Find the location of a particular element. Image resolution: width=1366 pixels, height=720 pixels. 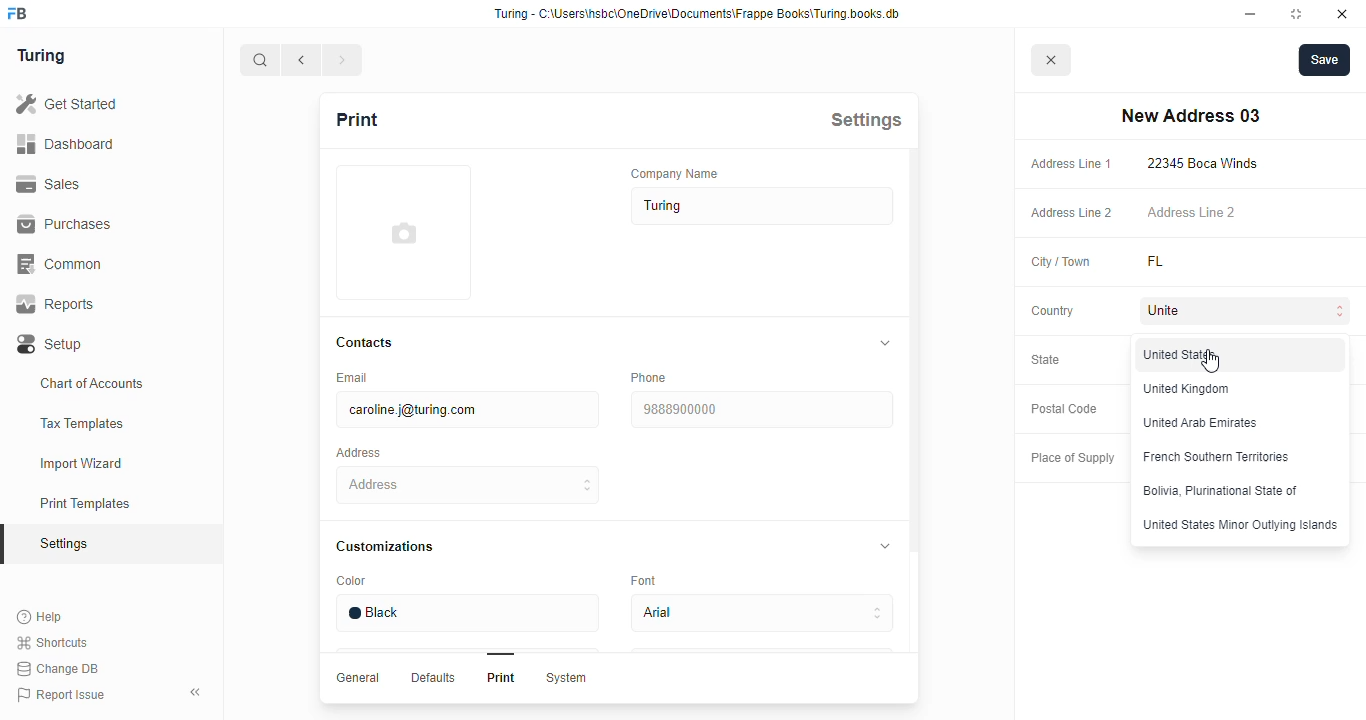

United States Minor Outlying Islands is located at coordinates (1239, 524).